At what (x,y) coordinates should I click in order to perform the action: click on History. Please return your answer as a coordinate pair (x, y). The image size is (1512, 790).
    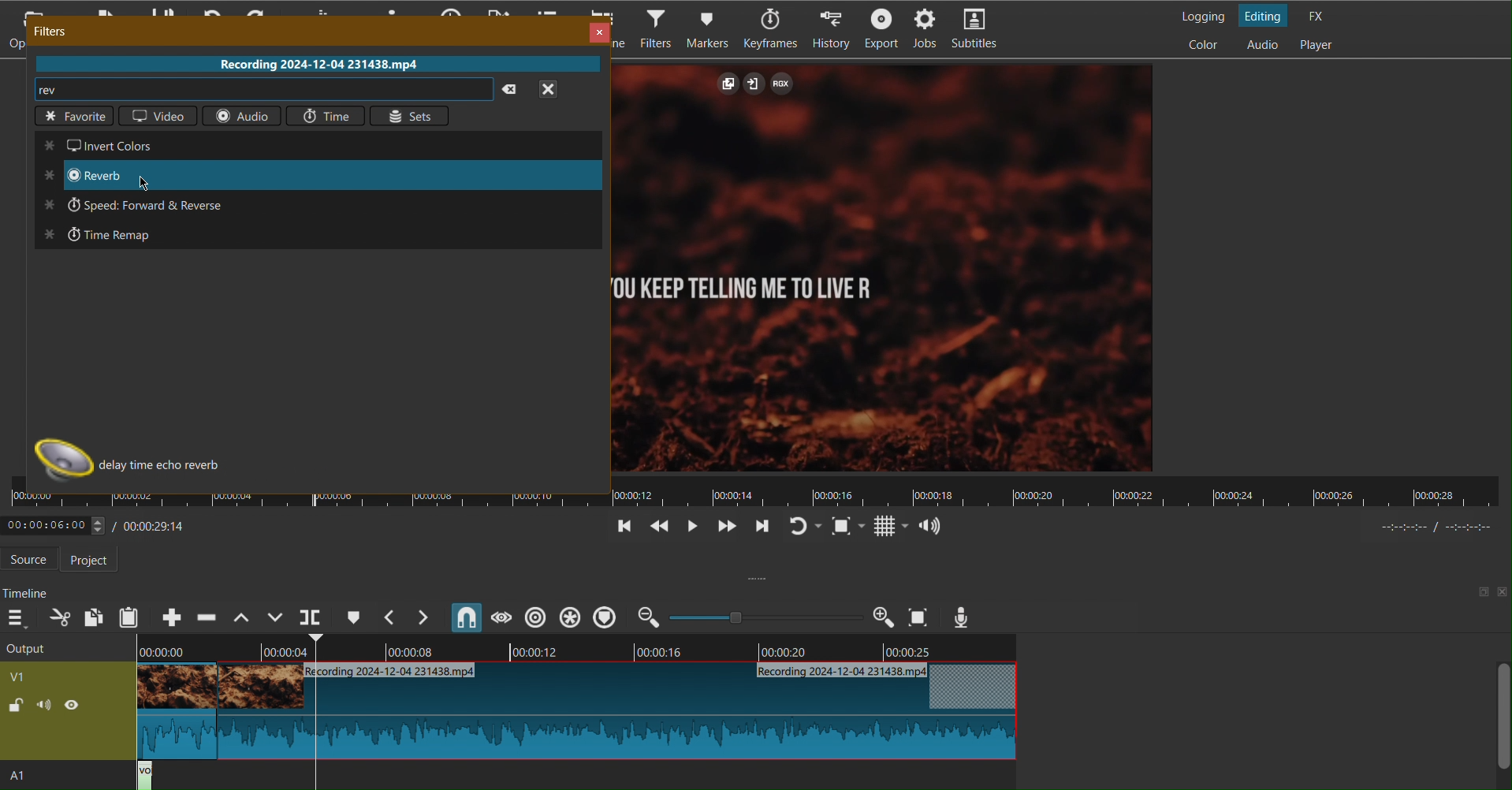
    Looking at the image, I should click on (832, 28).